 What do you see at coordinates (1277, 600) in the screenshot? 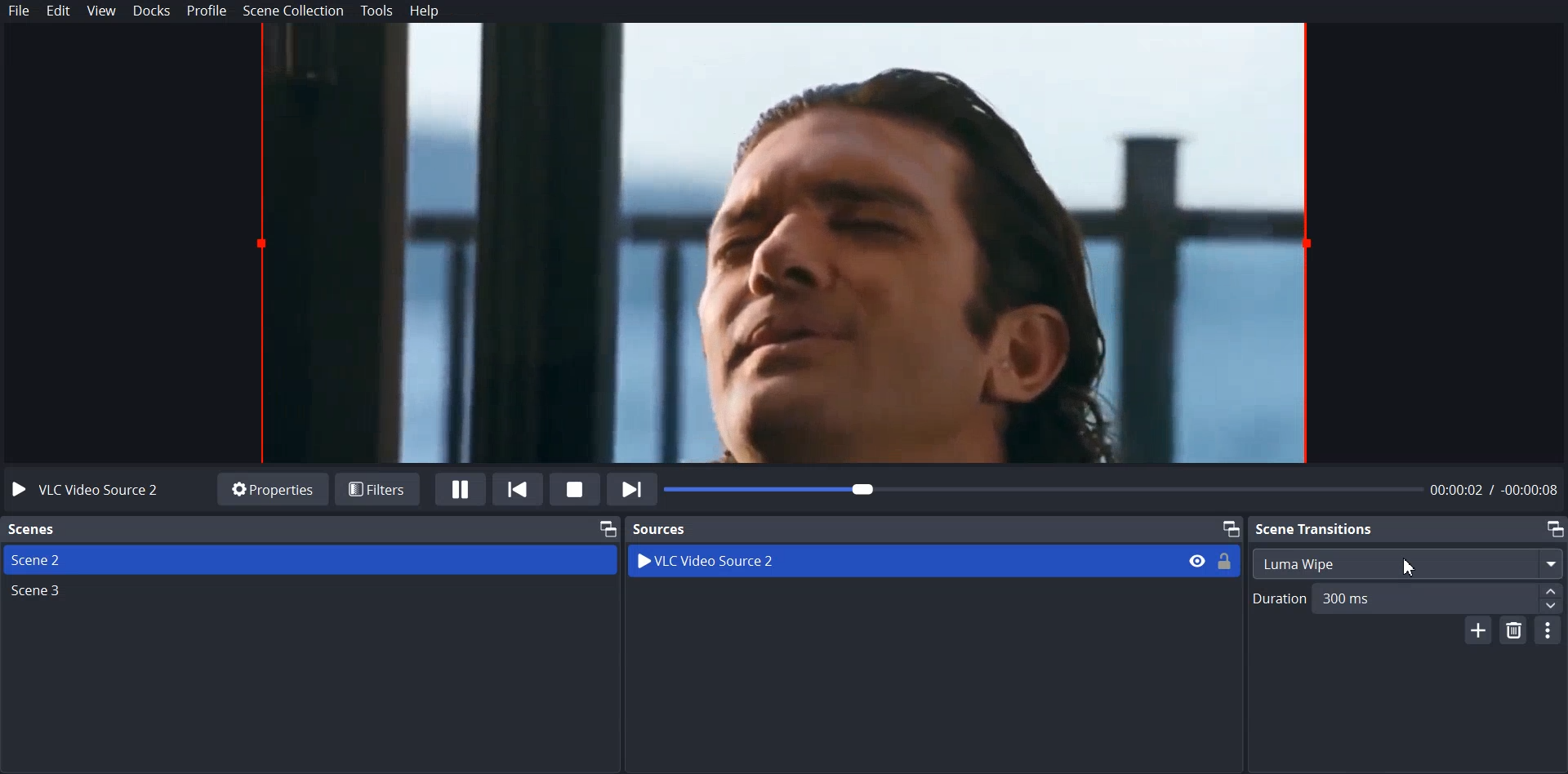
I see `Duration 300 ms` at bounding box center [1277, 600].